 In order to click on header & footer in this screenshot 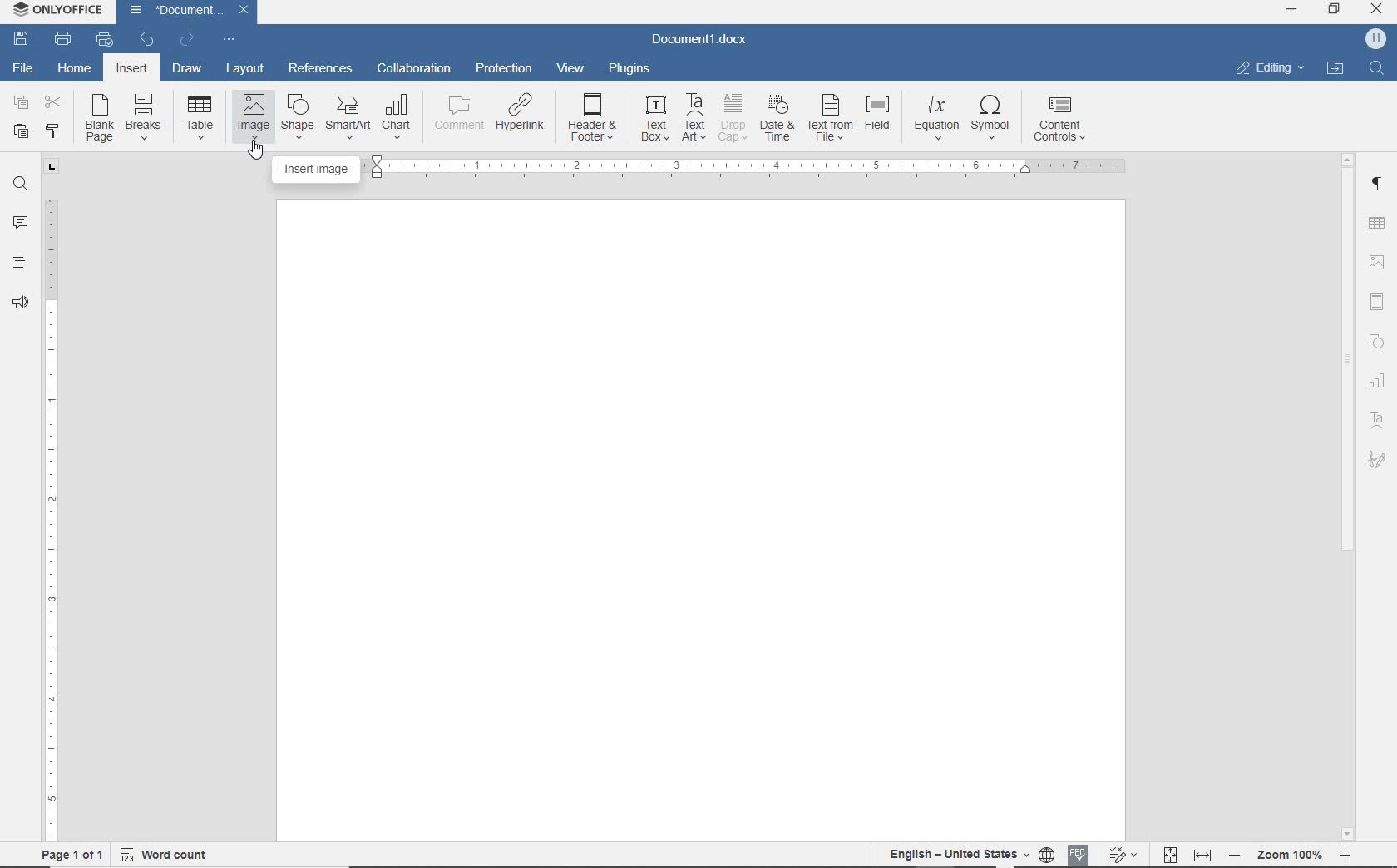, I will do `click(1378, 300)`.